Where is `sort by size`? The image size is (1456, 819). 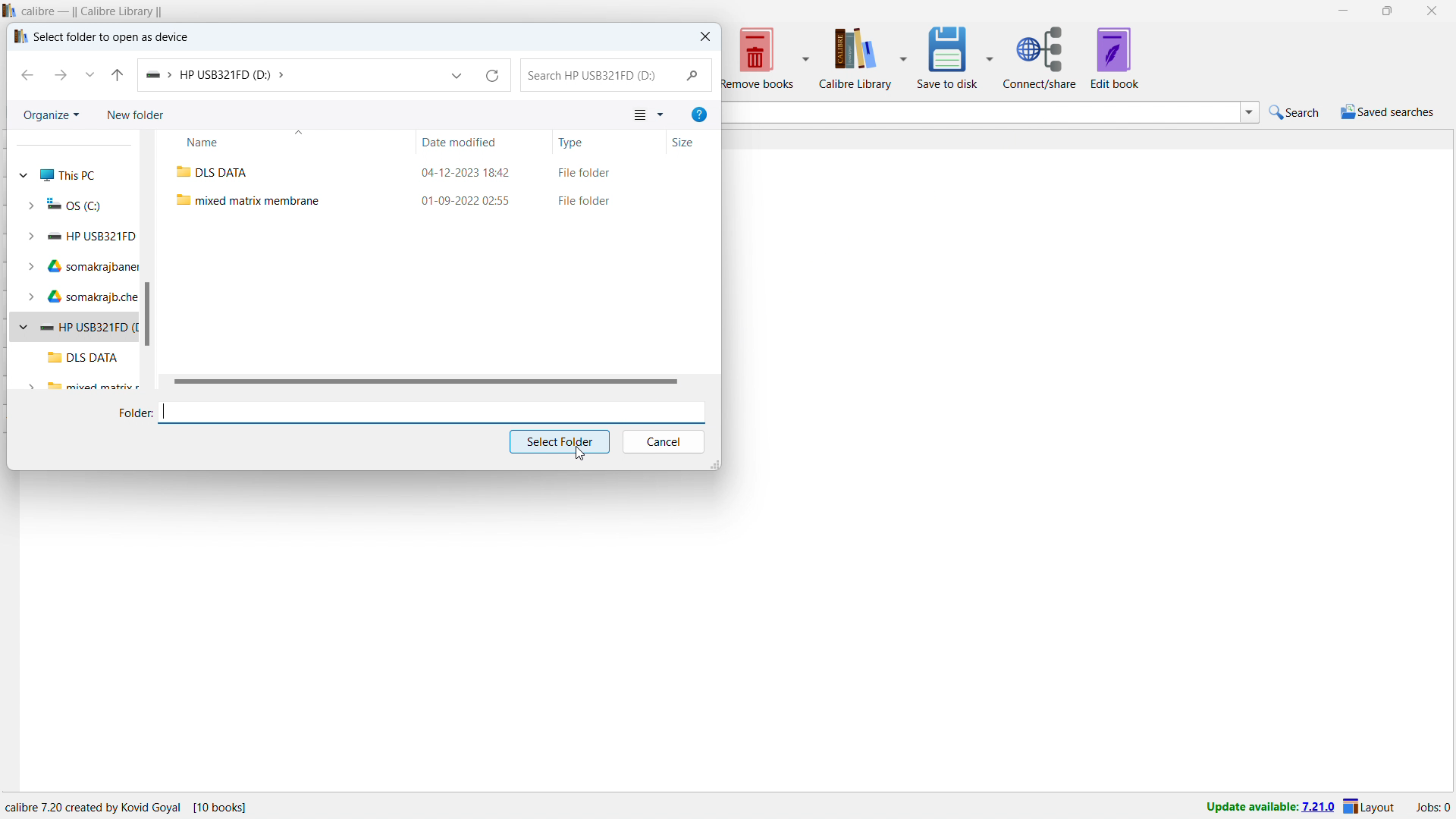 sort by size is located at coordinates (692, 140).